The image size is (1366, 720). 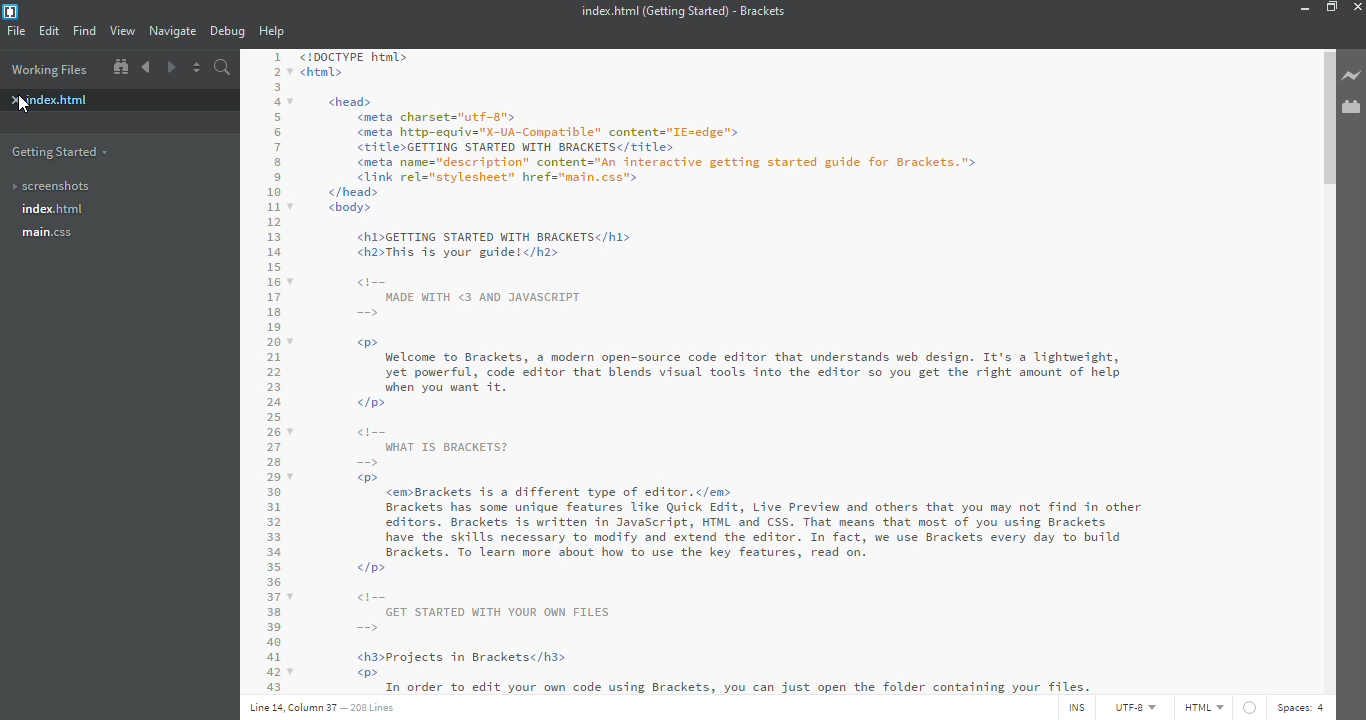 I want to click on getting started, so click(x=62, y=153).